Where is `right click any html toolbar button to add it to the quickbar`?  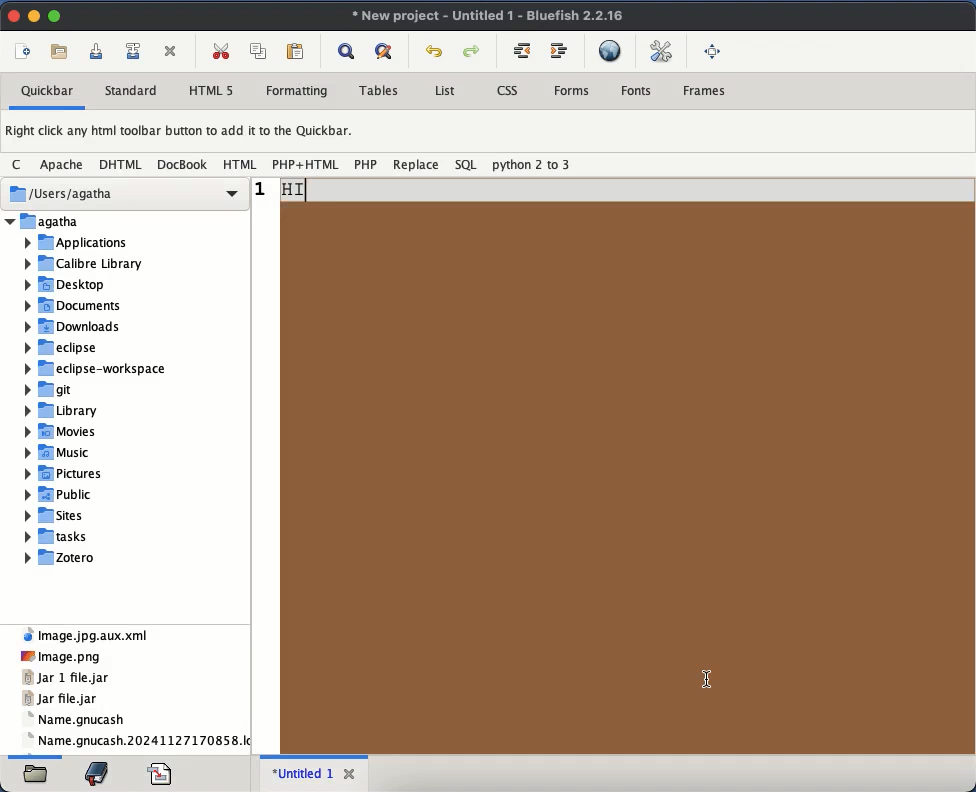 right click any html toolbar button to add it to the quickbar is located at coordinates (182, 131).